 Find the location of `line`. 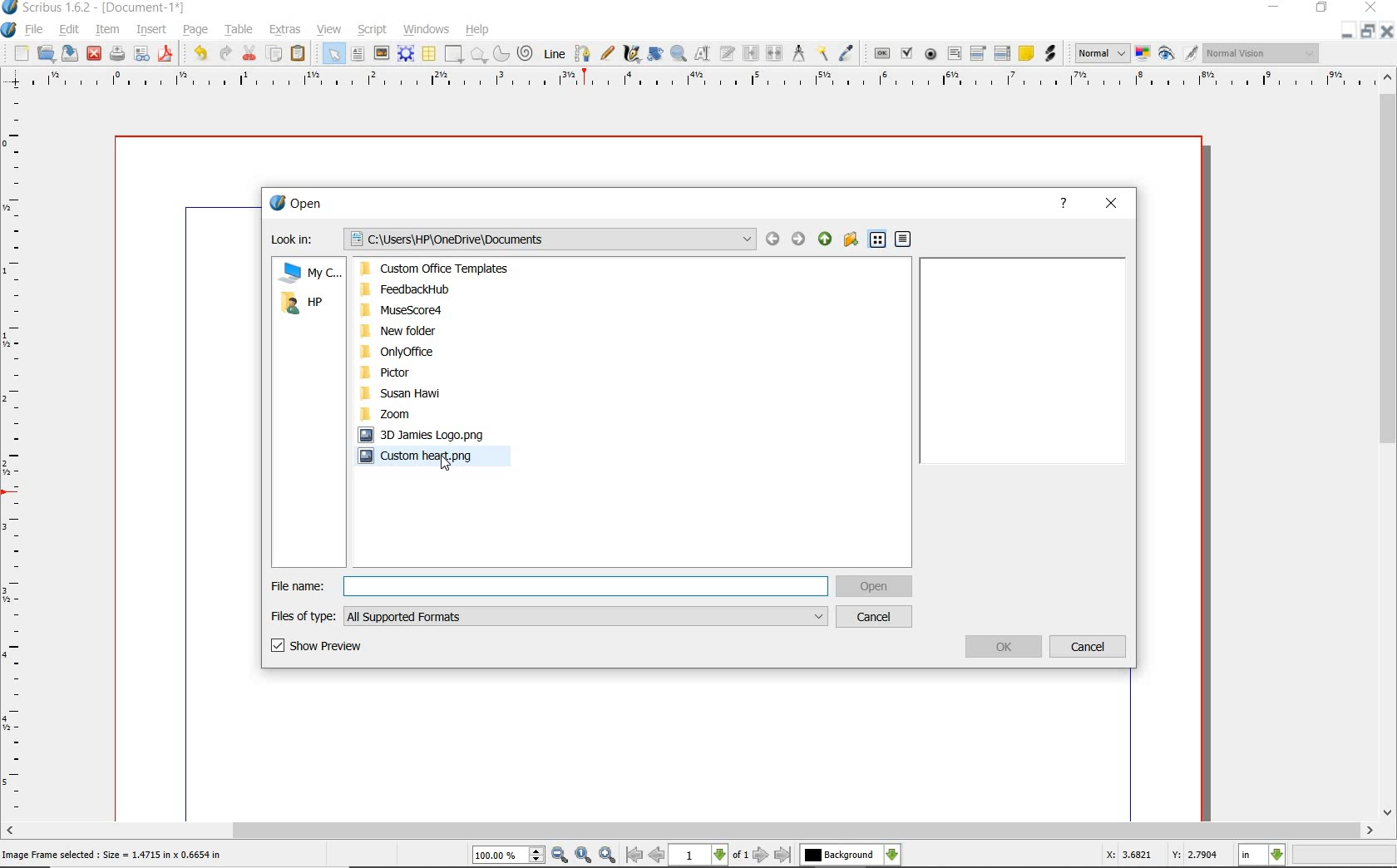

line is located at coordinates (555, 52).